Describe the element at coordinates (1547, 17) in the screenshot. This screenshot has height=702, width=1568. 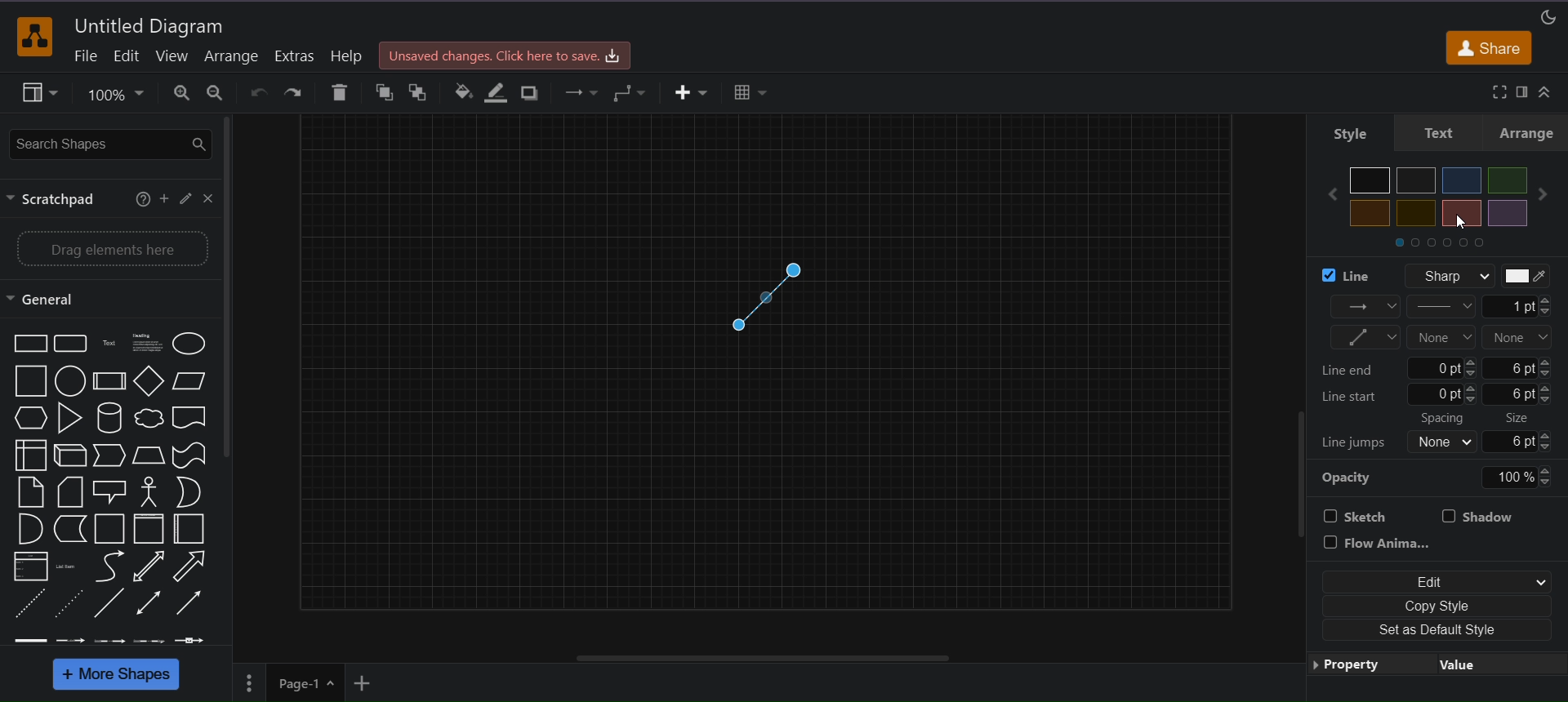
I see `appearance` at that location.